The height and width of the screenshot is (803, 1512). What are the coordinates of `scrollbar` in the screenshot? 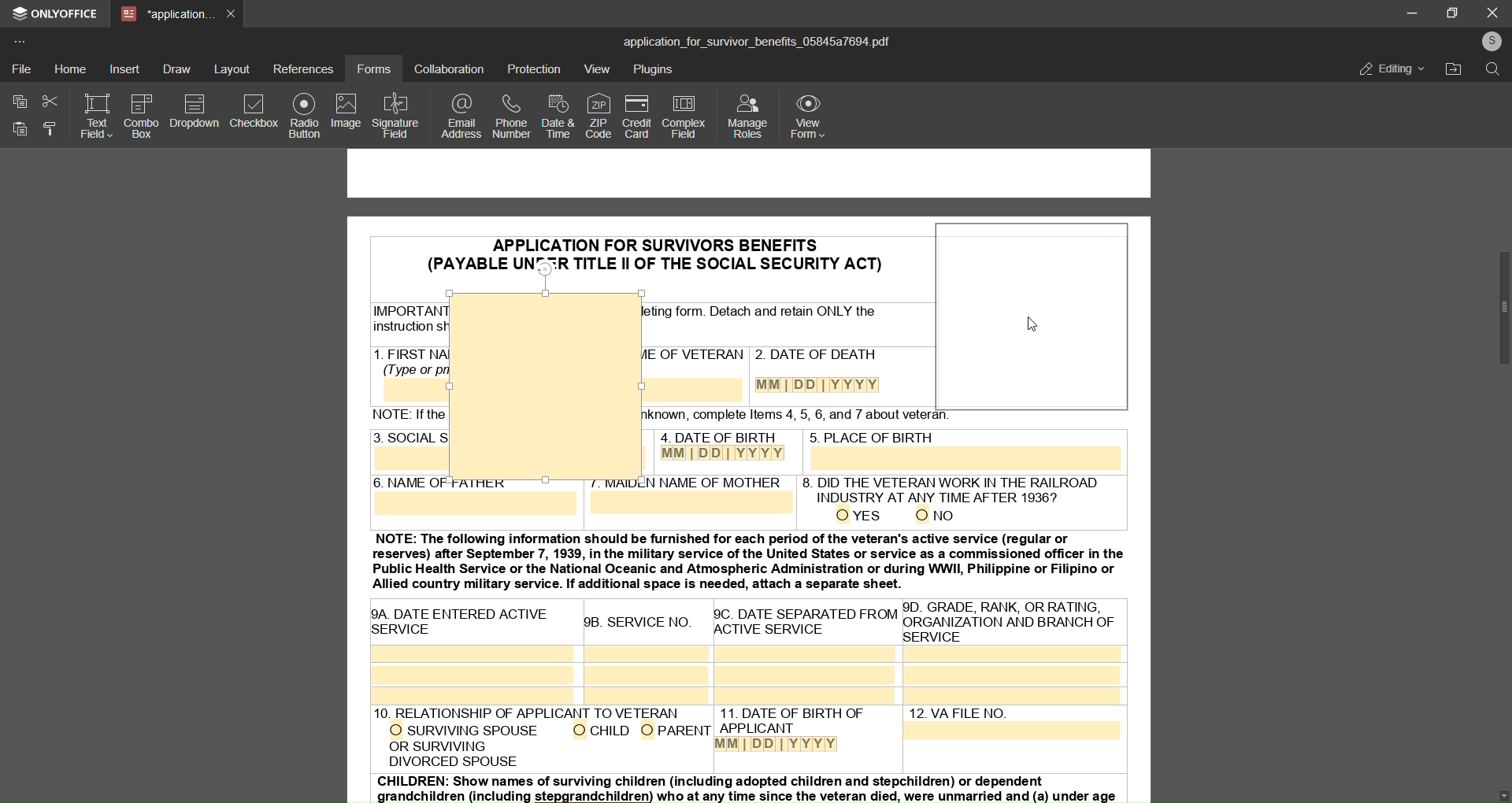 It's located at (1495, 308).